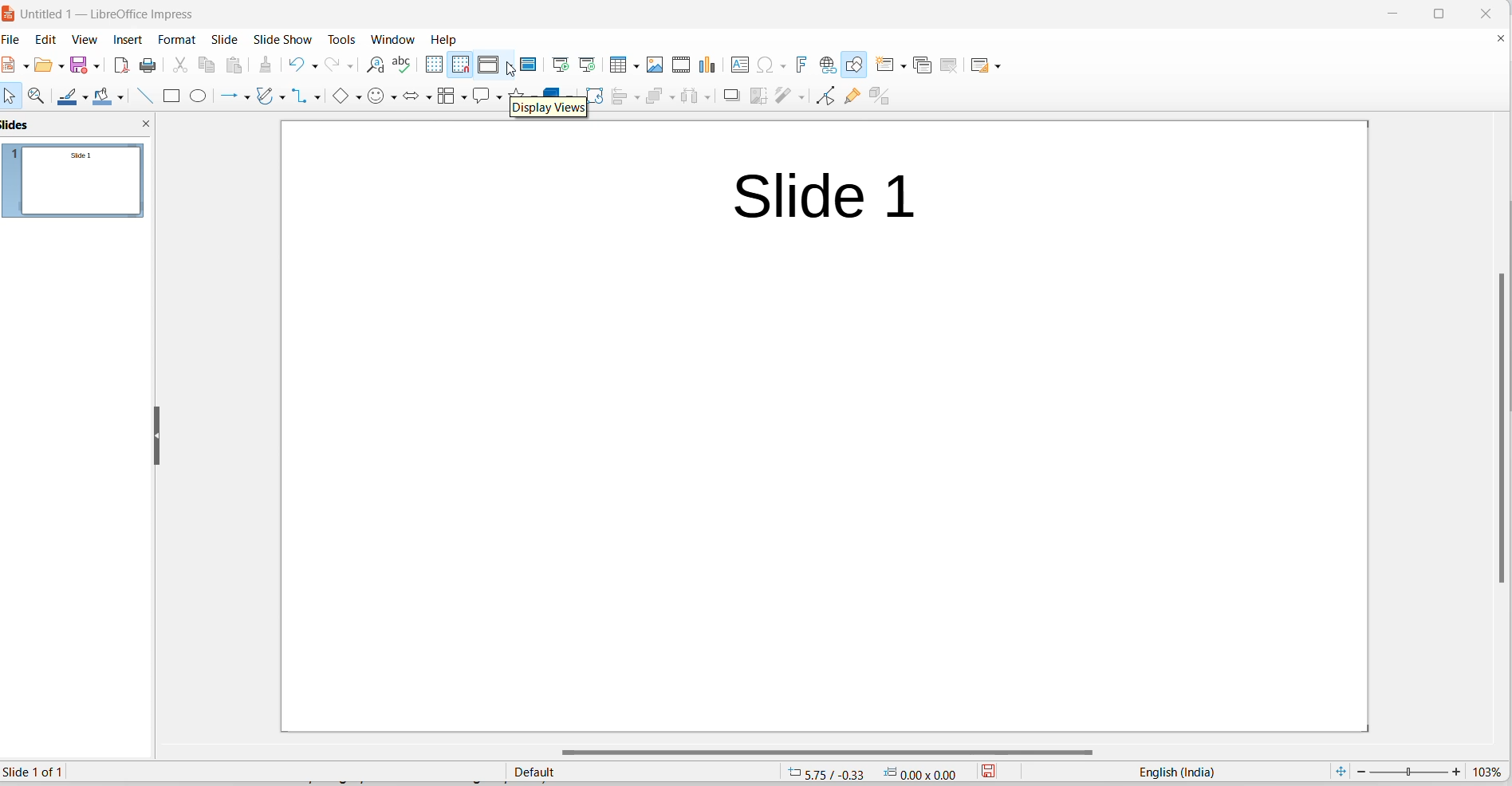 The height and width of the screenshot is (786, 1512). Describe the element at coordinates (859, 377) in the screenshot. I see `canvas` at that location.